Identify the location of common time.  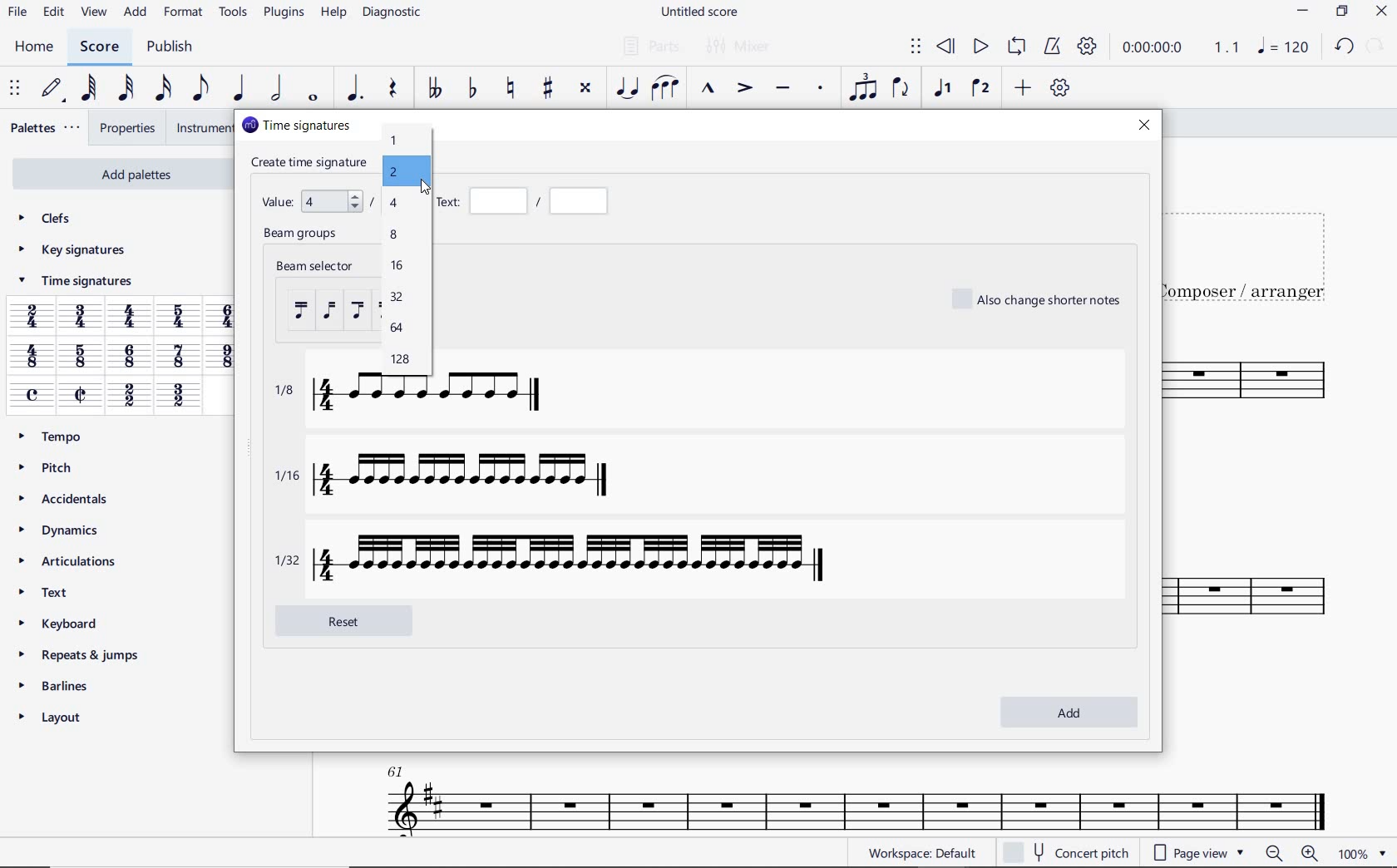
(33, 395).